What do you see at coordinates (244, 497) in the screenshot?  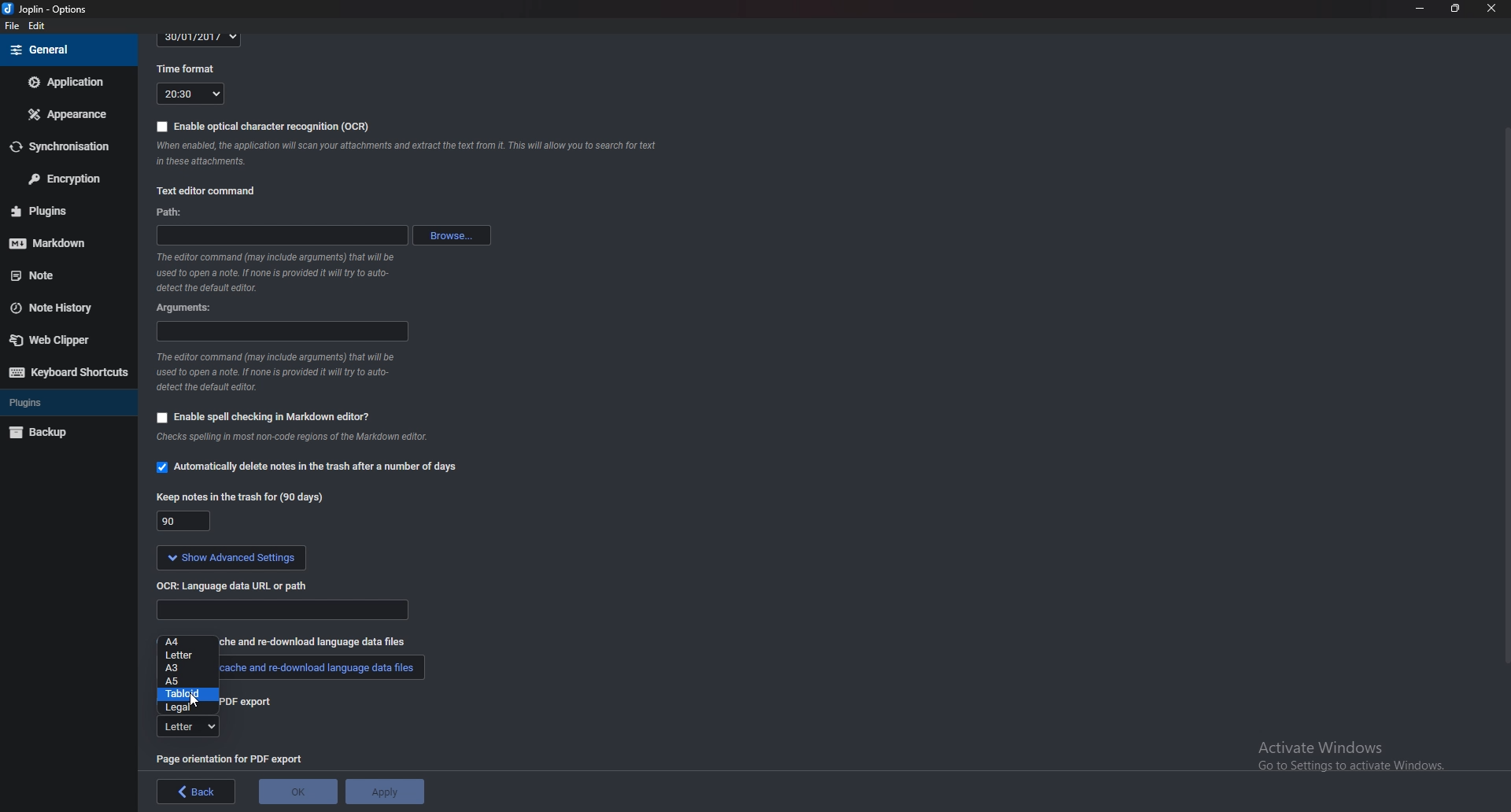 I see `Keep notes in the trash for` at bounding box center [244, 497].